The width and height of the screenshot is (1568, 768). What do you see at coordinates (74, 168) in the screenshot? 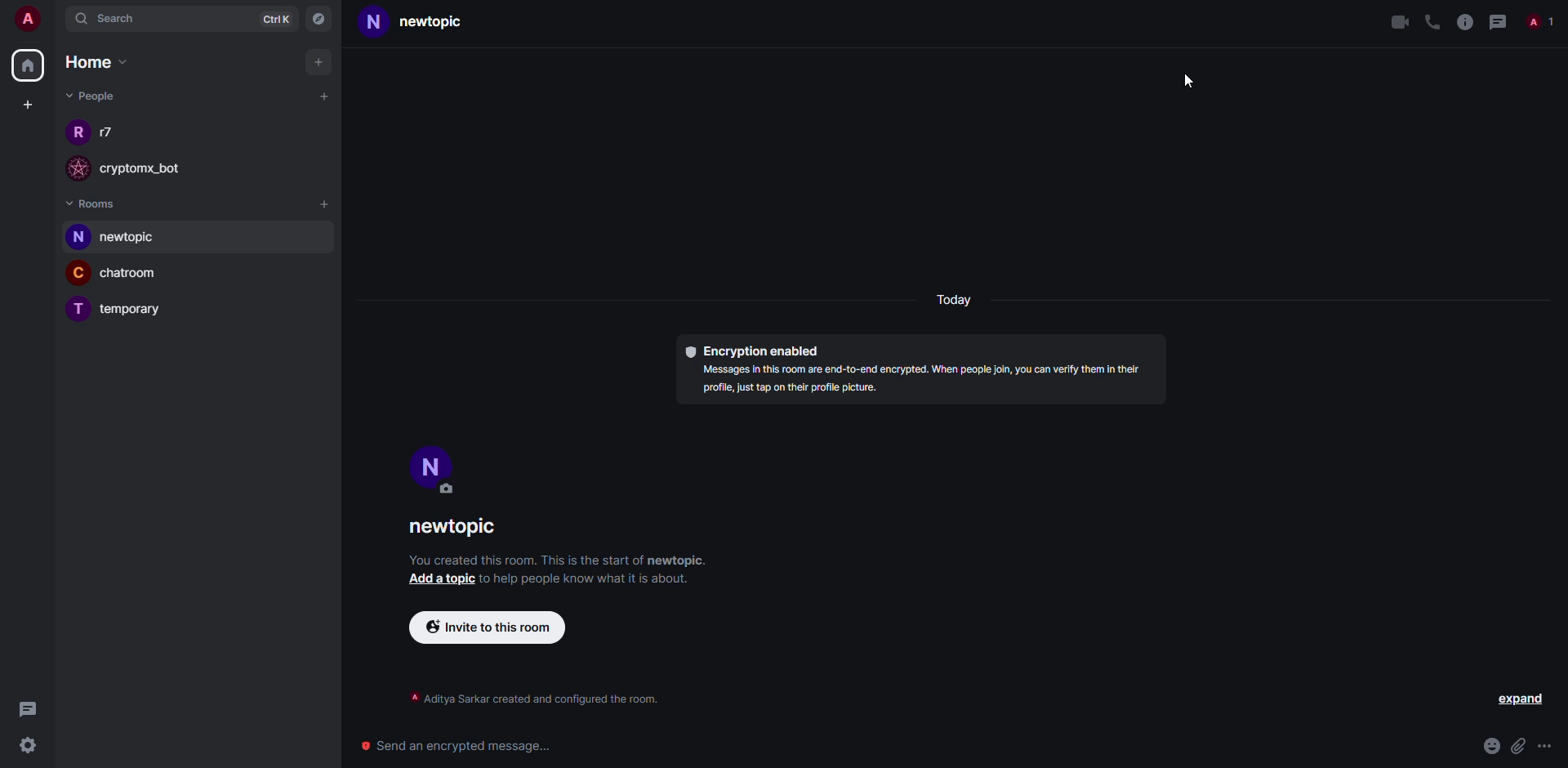
I see `profile image` at bounding box center [74, 168].